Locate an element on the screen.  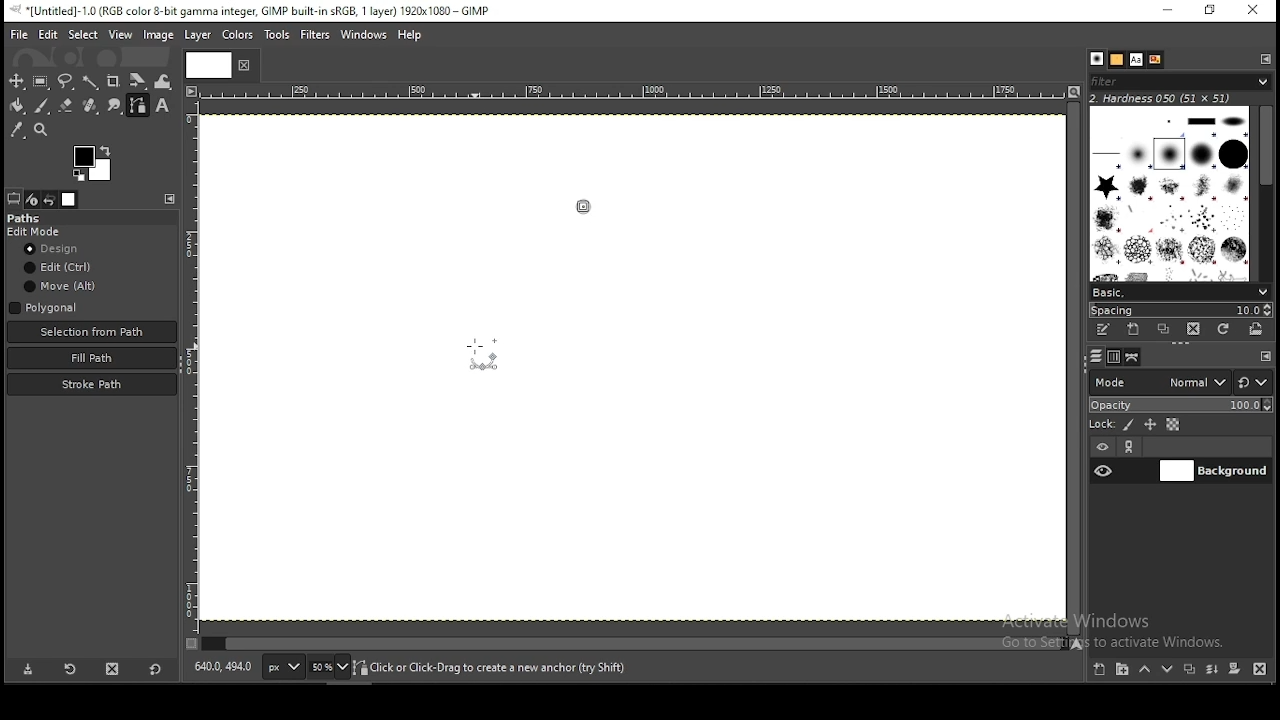
zoom status is located at coordinates (329, 667).